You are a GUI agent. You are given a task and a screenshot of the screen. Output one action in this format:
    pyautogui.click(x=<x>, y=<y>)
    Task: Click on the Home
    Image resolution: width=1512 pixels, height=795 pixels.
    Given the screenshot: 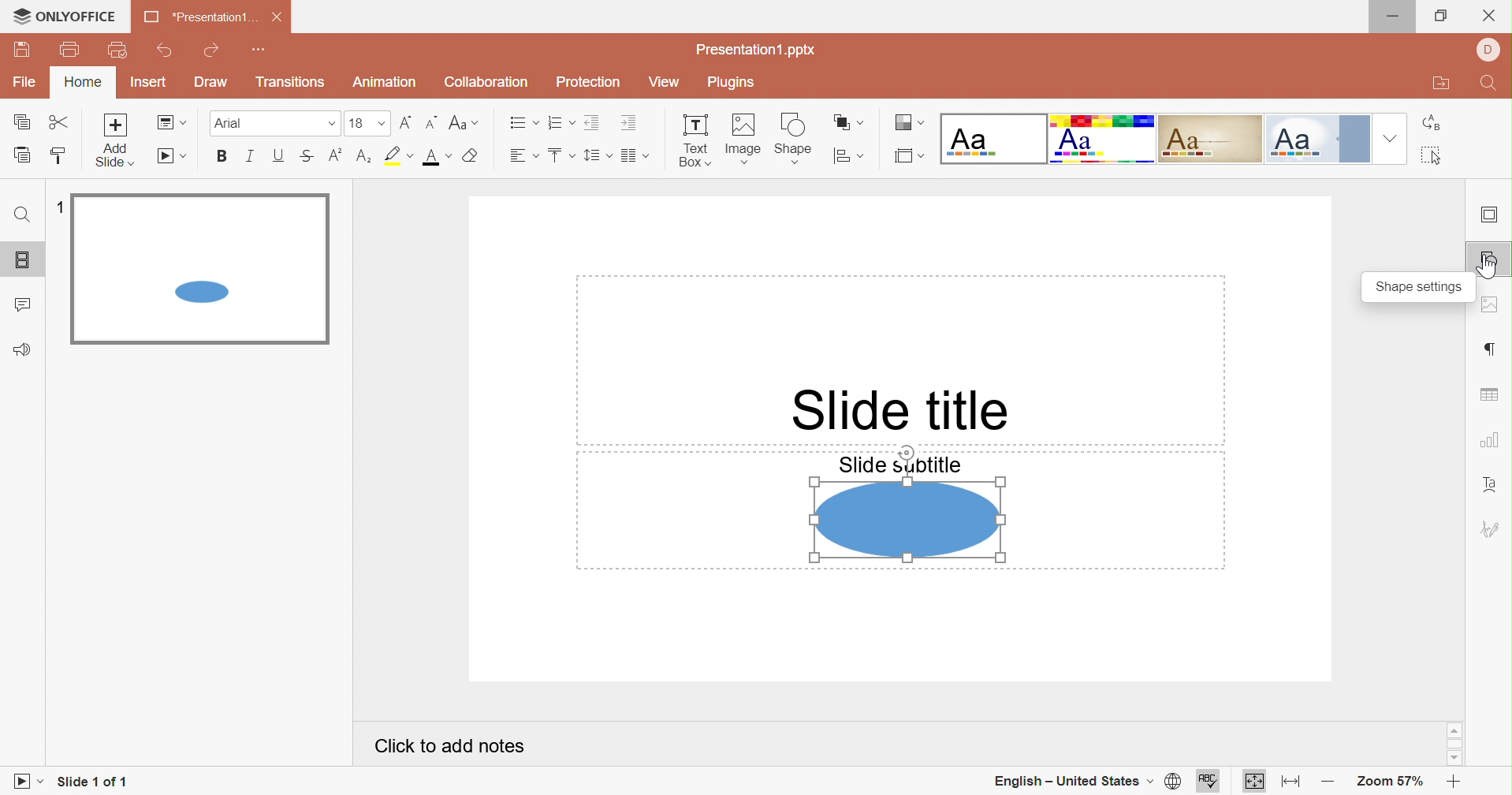 What is the action you would take?
    pyautogui.click(x=85, y=84)
    